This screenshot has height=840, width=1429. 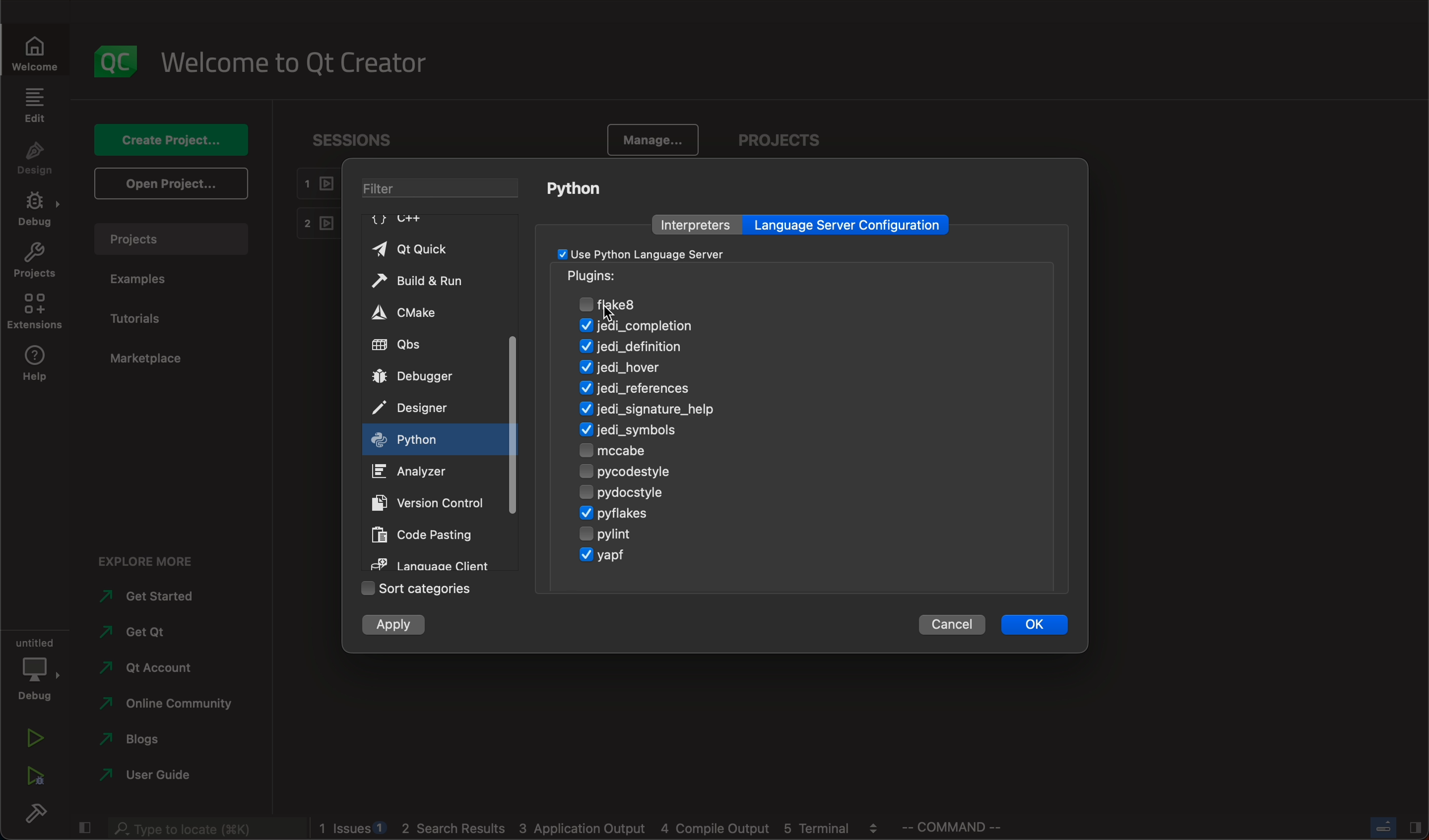 I want to click on explore, so click(x=147, y=563).